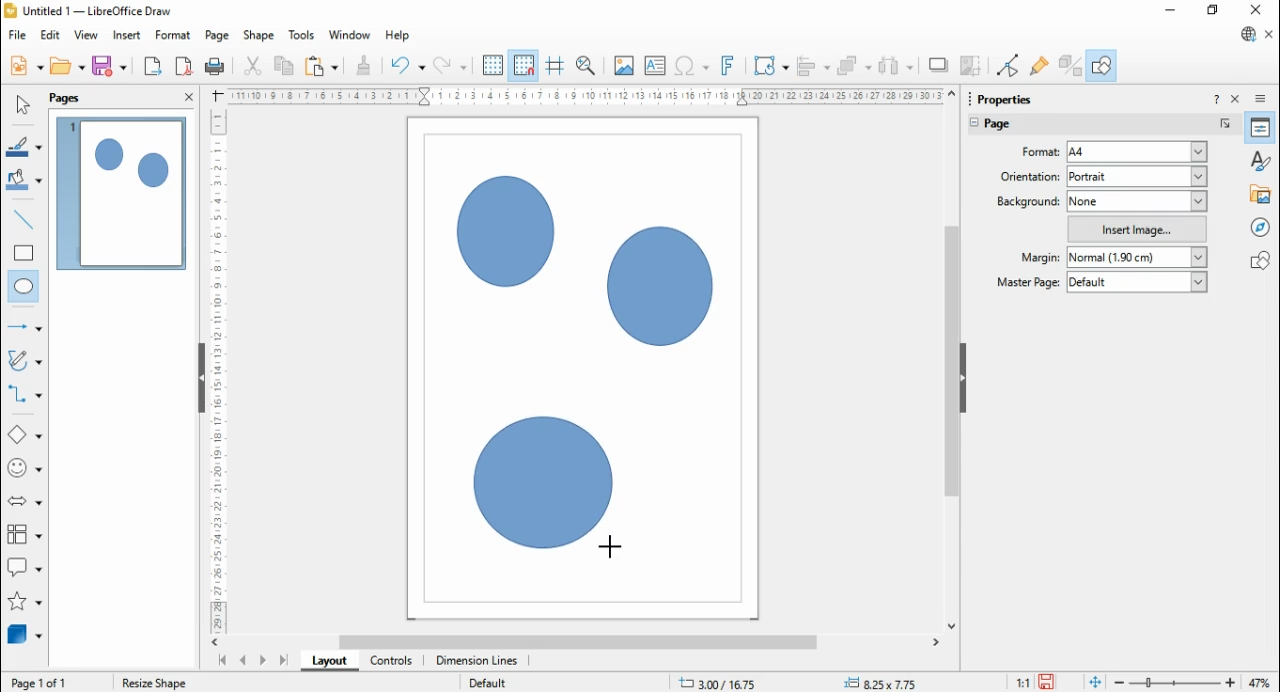  What do you see at coordinates (221, 661) in the screenshot?
I see `first page` at bounding box center [221, 661].